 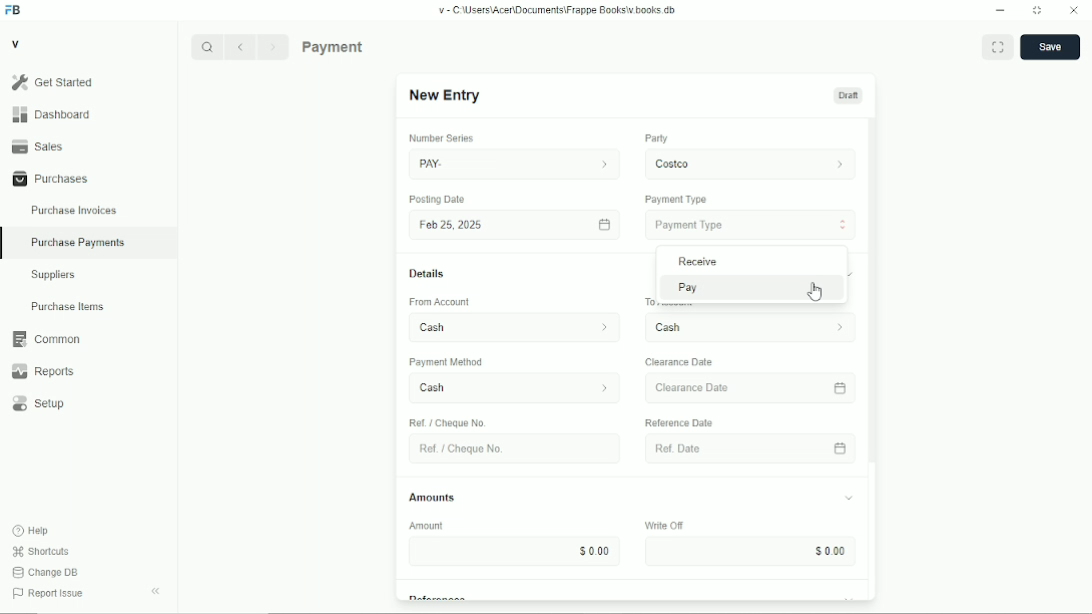 What do you see at coordinates (454, 364) in the screenshot?
I see `‘Payment Method` at bounding box center [454, 364].